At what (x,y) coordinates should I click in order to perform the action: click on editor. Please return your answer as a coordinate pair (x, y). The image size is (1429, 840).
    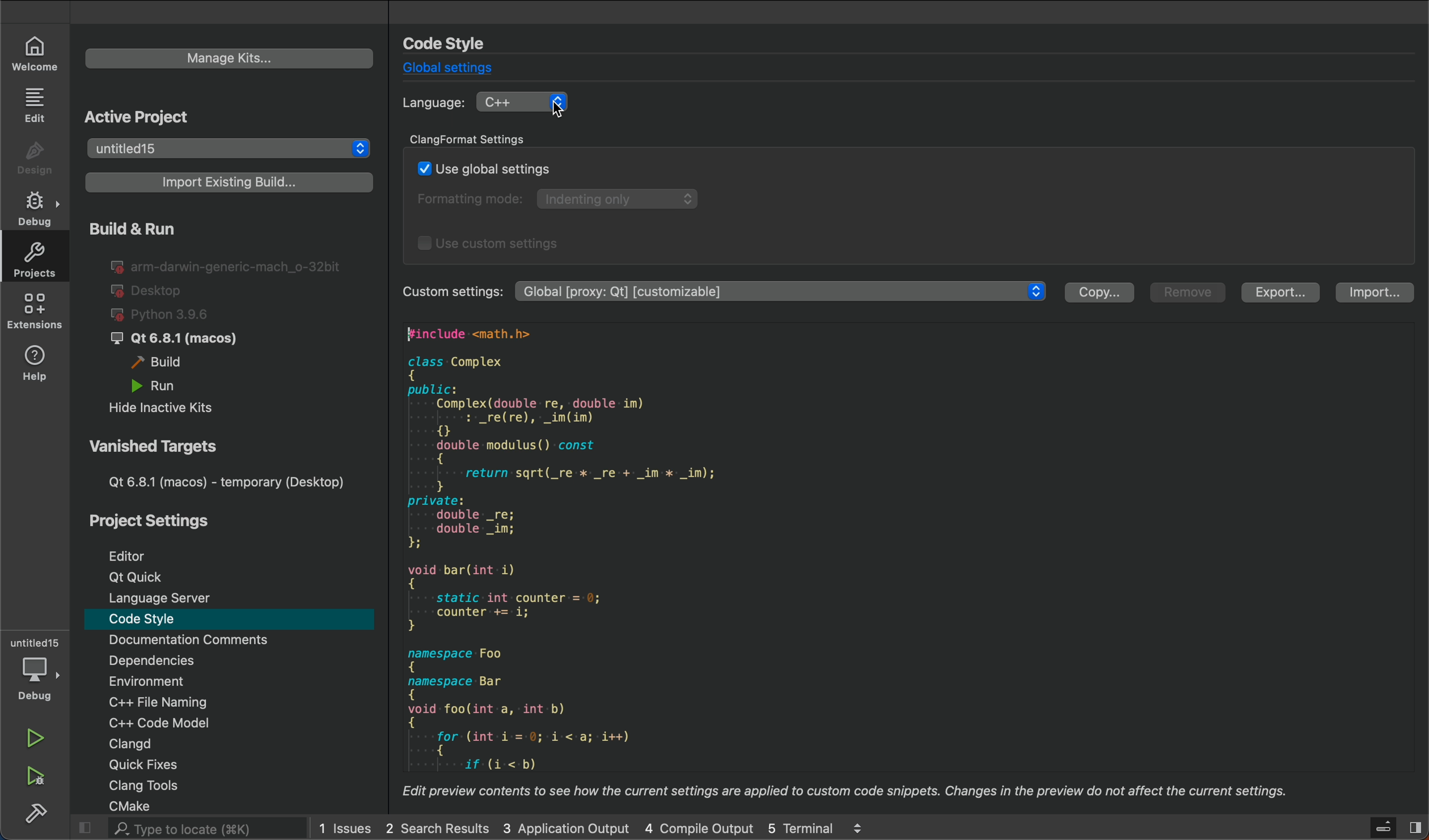
    Looking at the image, I should click on (134, 553).